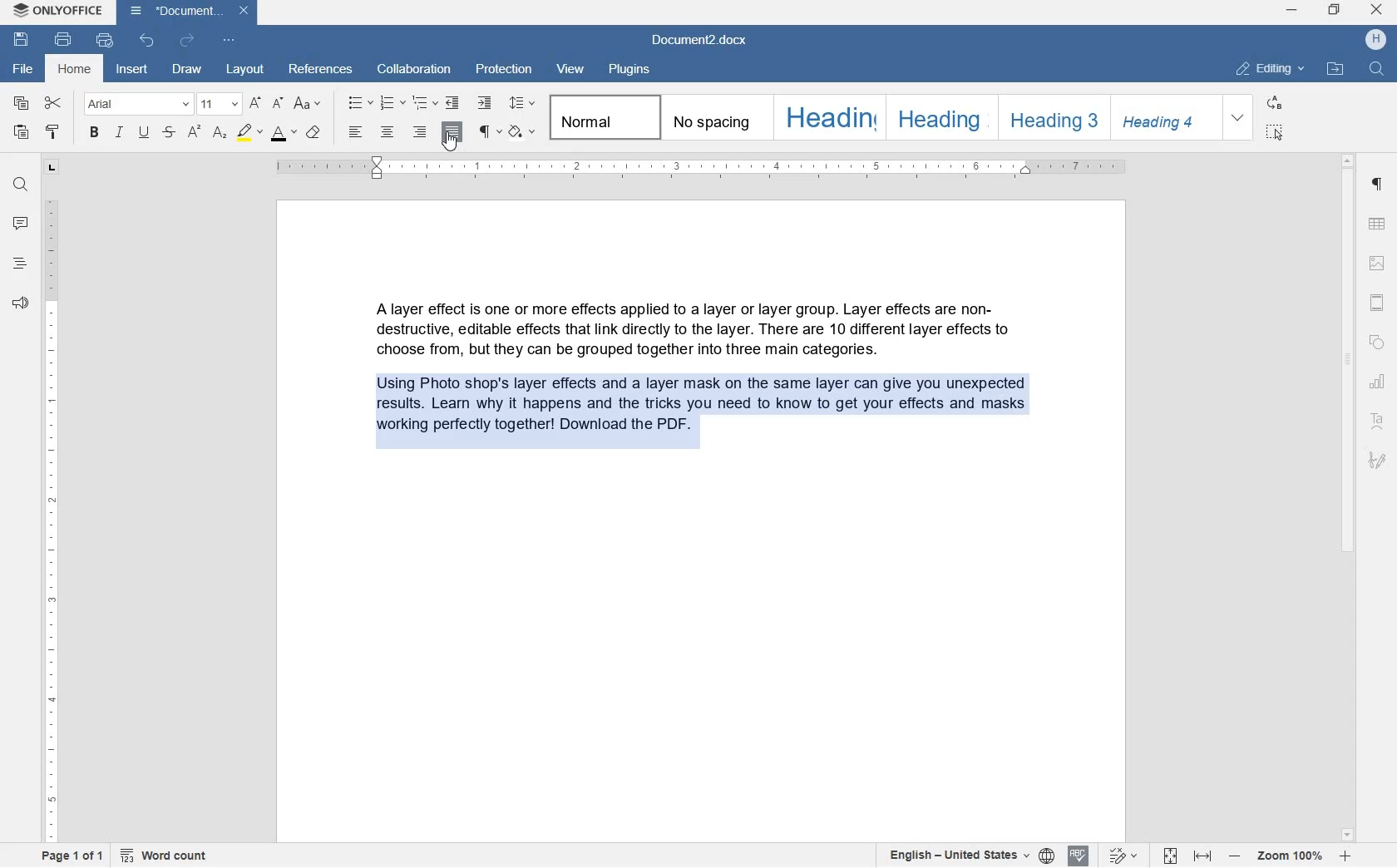  What do you see at coordinates (1376, 422) in the screenshot?
I see `TEXT ART` at bounding box center [1376, 422].